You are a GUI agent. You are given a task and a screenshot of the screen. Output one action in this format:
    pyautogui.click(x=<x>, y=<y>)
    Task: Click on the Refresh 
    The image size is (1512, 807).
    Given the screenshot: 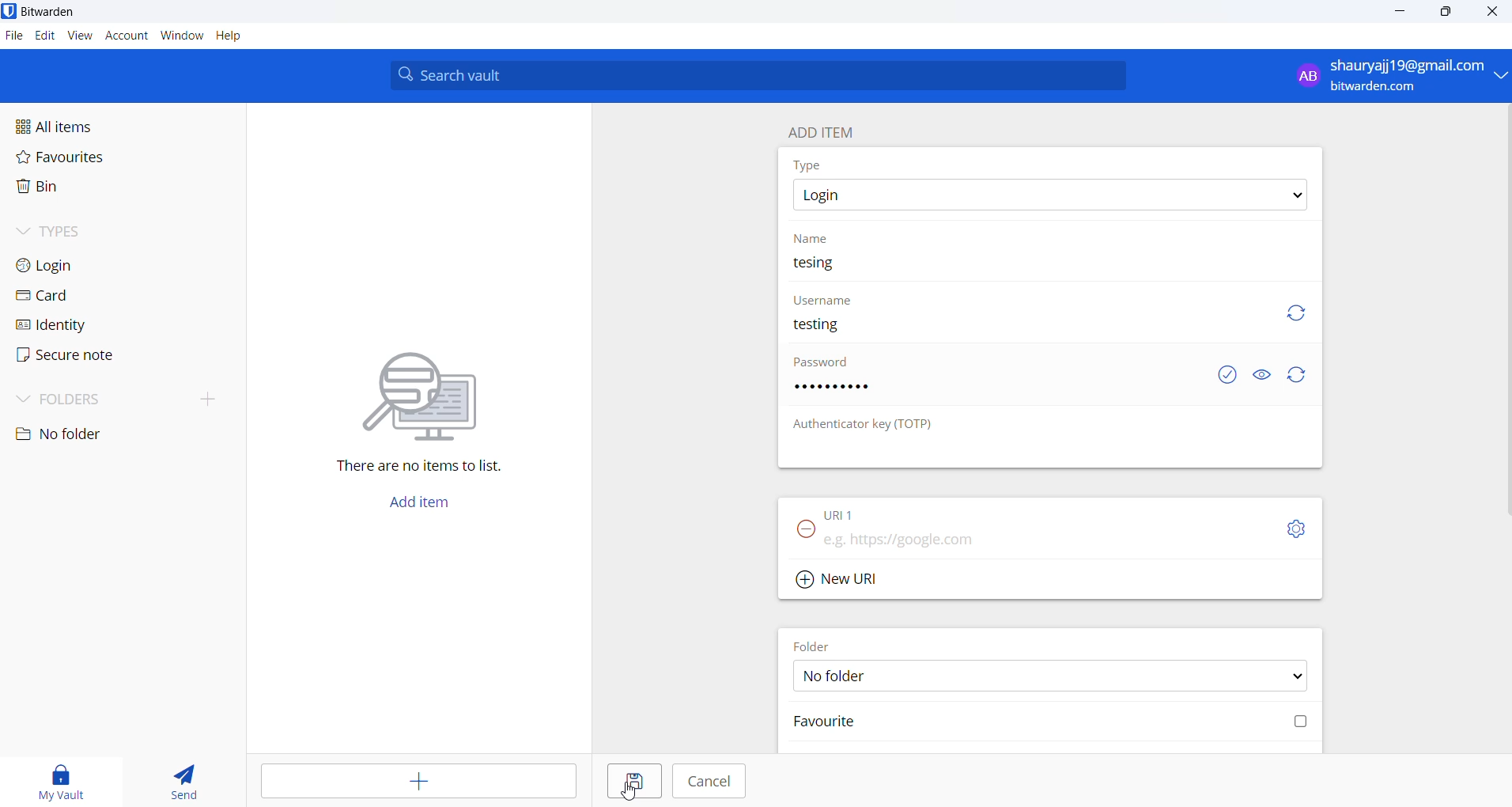 What is the action you would take?
    pyautogui.click(x=1304, y=316)
    